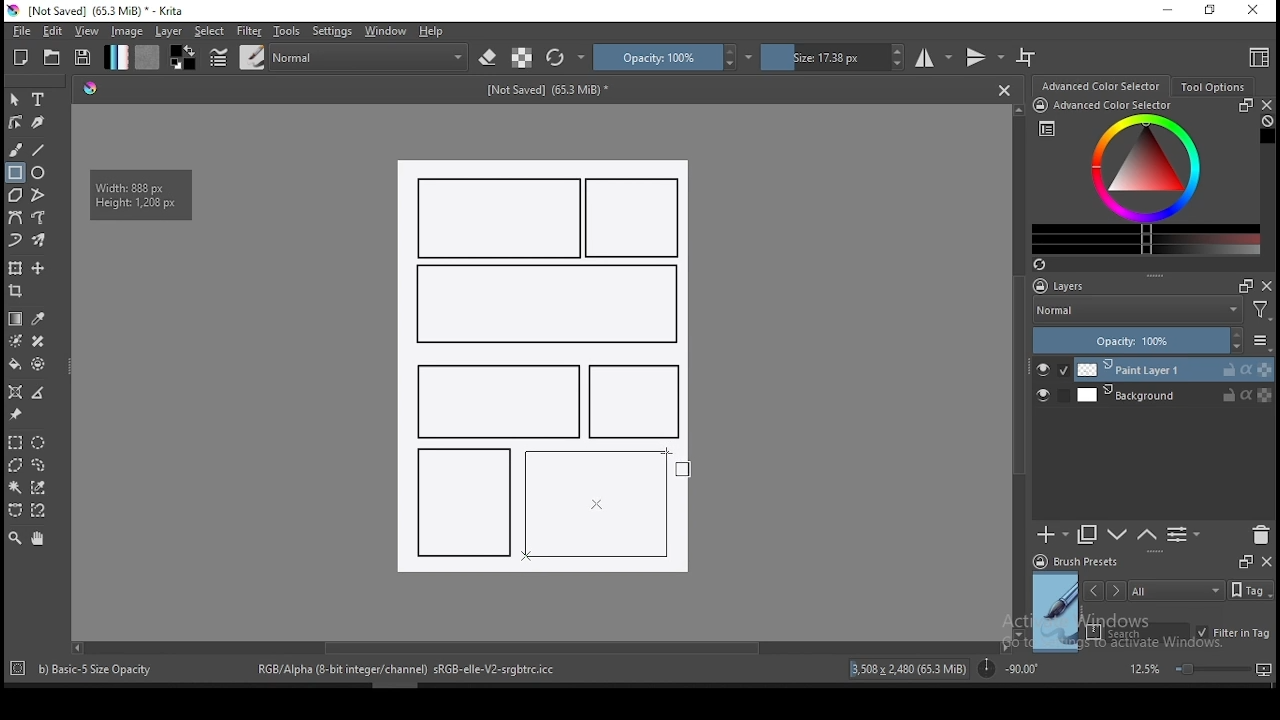 This screenshot has width=1280, height=720. What do you see at coordinates (15, 121) in the screenshot?
I see `edit shapes tool` at bounding box center [15, 121].